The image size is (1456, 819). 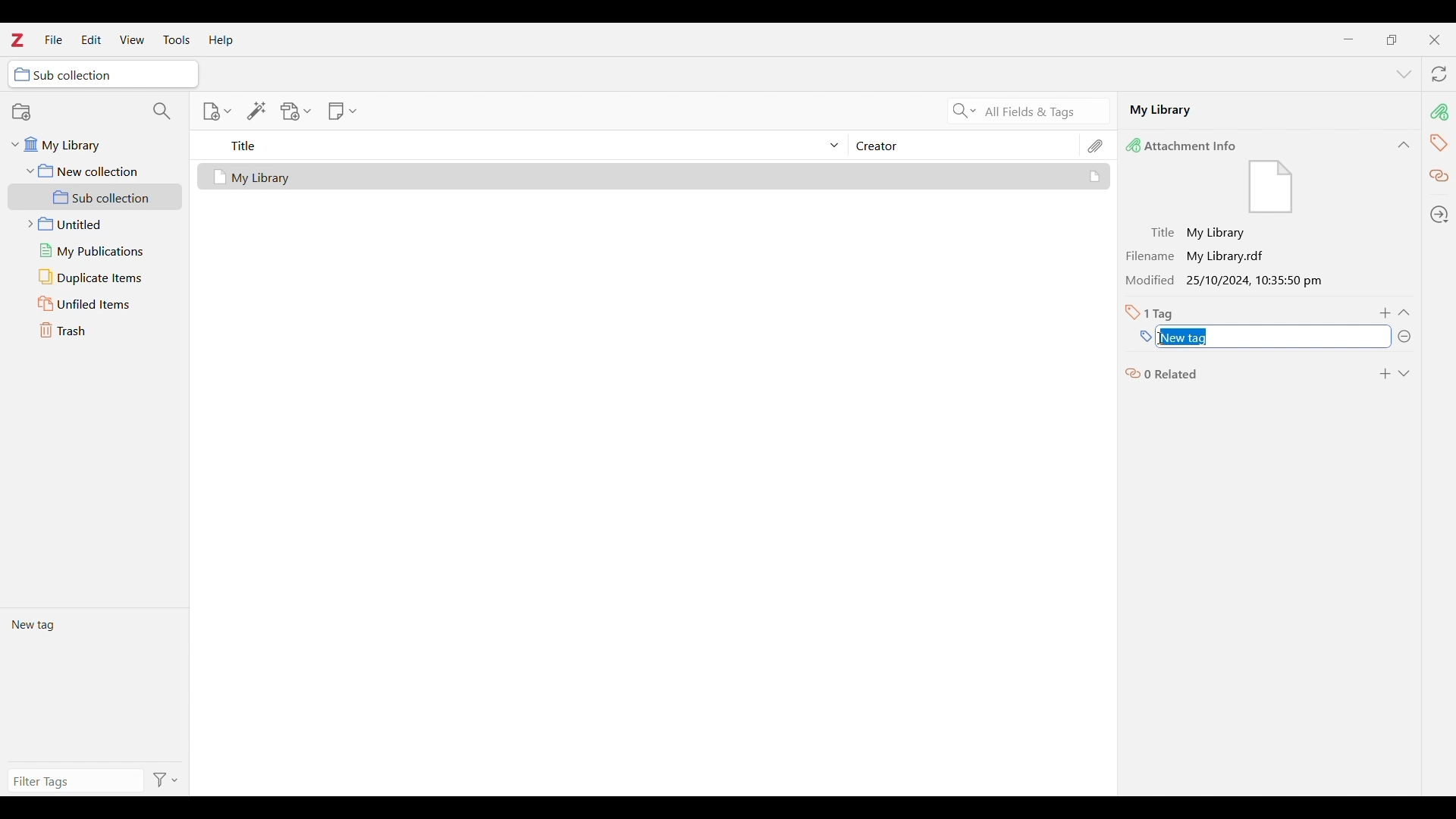 What do you see at coordinates (95, 303) in the screenshot?
I see `Unfiled items folder` at bounding box center [95, 303].